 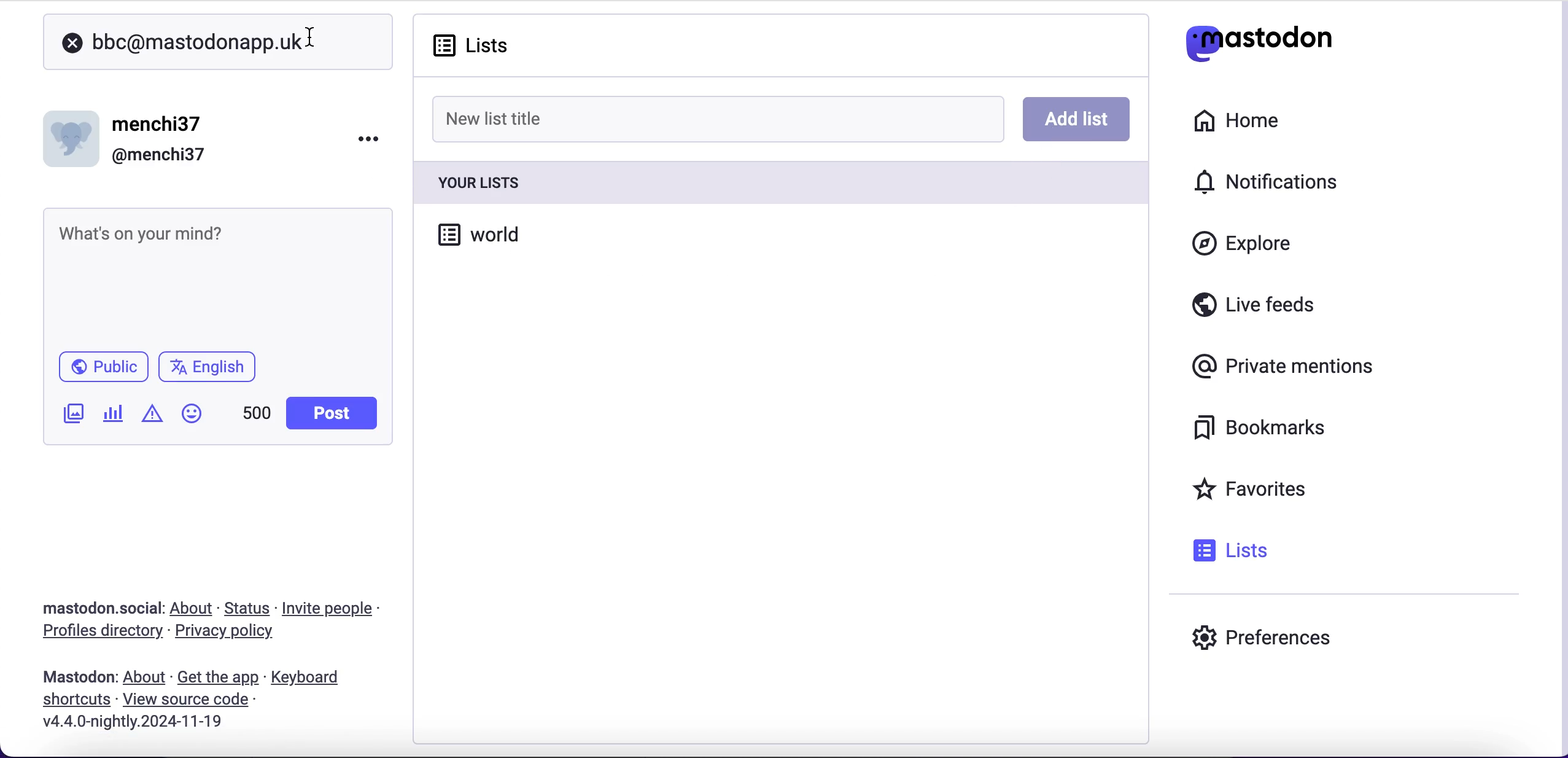 I want to click on bookmarks, so click(x=1263, y=428).